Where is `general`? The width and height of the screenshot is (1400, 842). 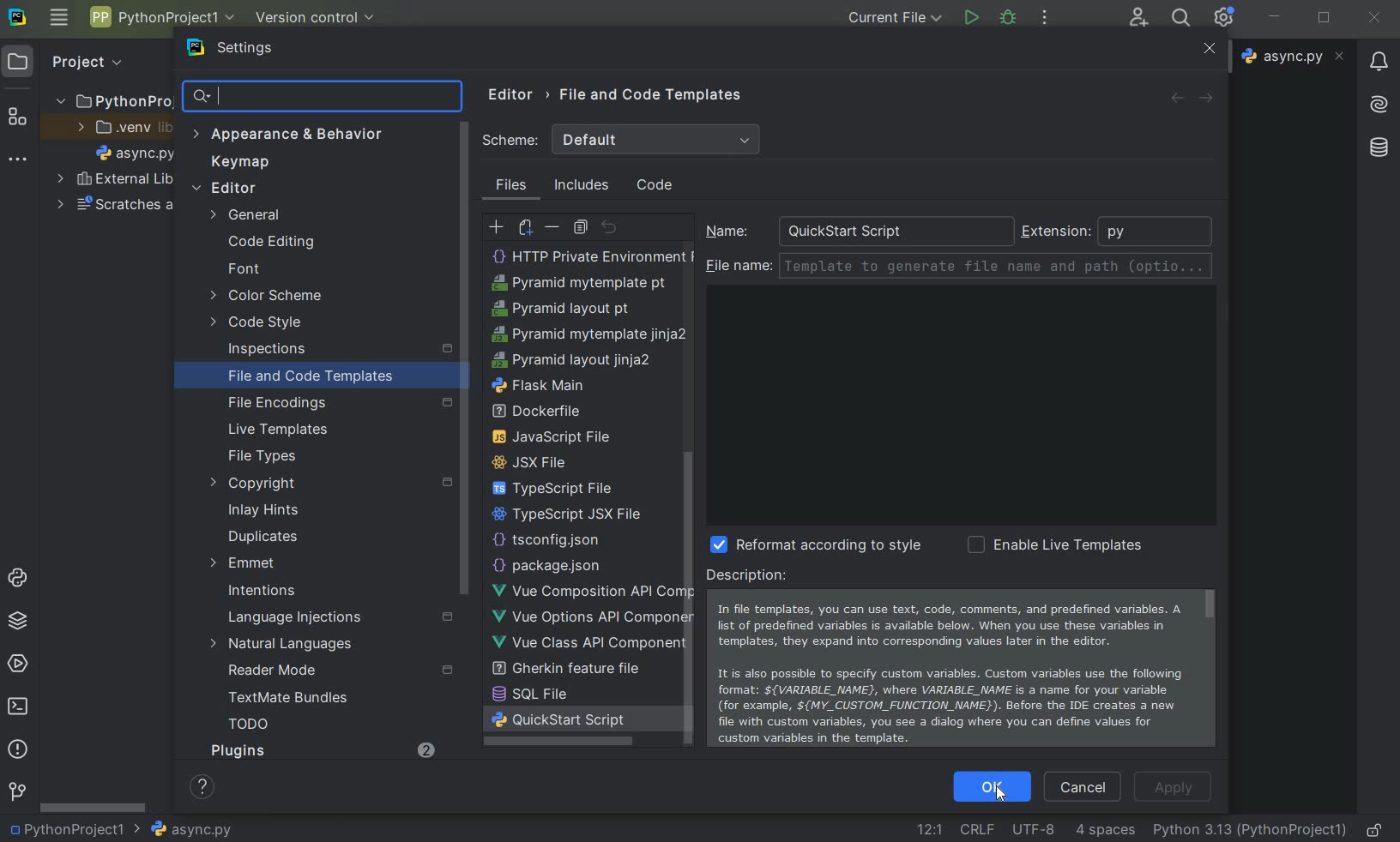 general is located at coordinates (250, 215).